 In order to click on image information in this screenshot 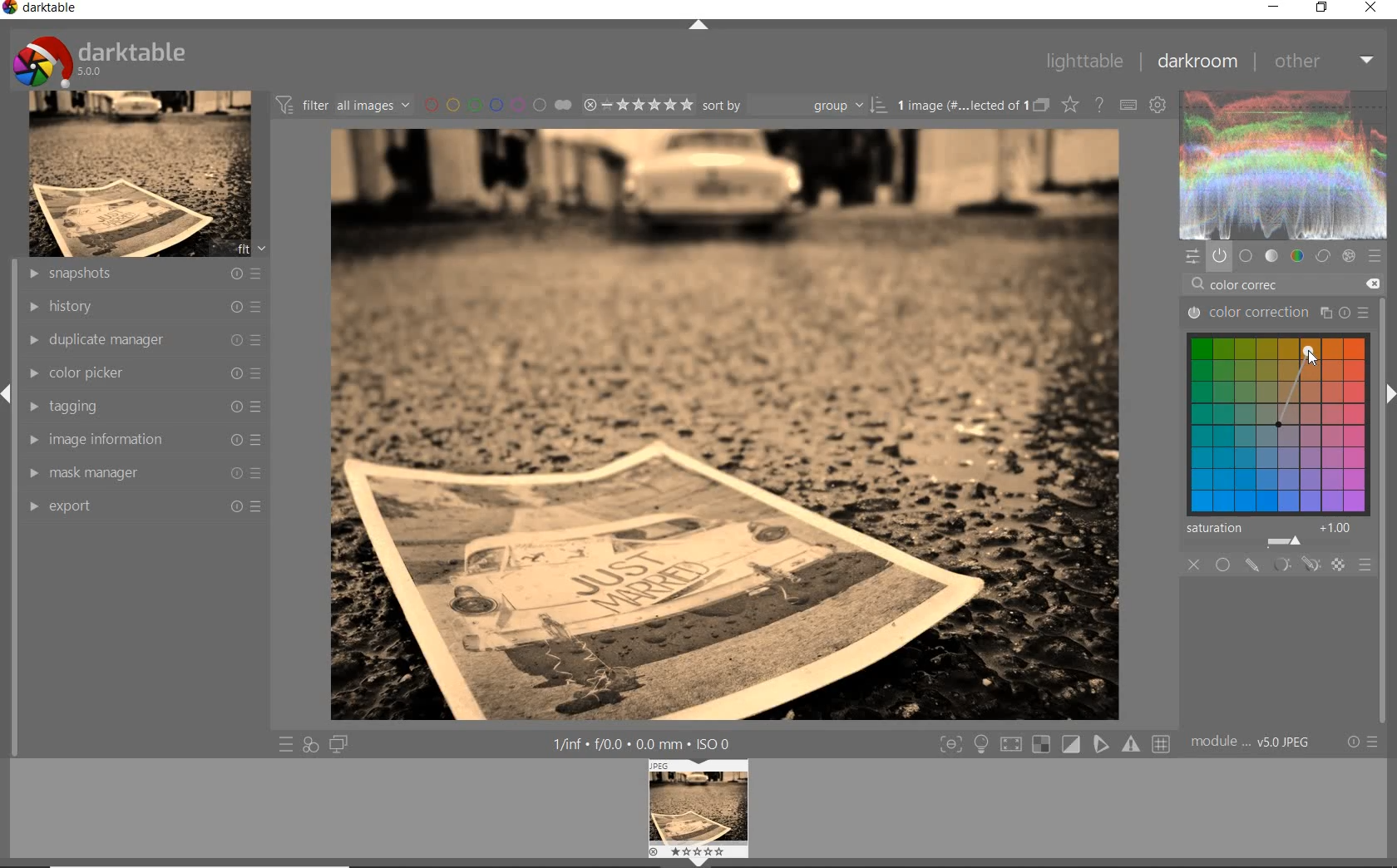, I will do `click(146, 439)`.